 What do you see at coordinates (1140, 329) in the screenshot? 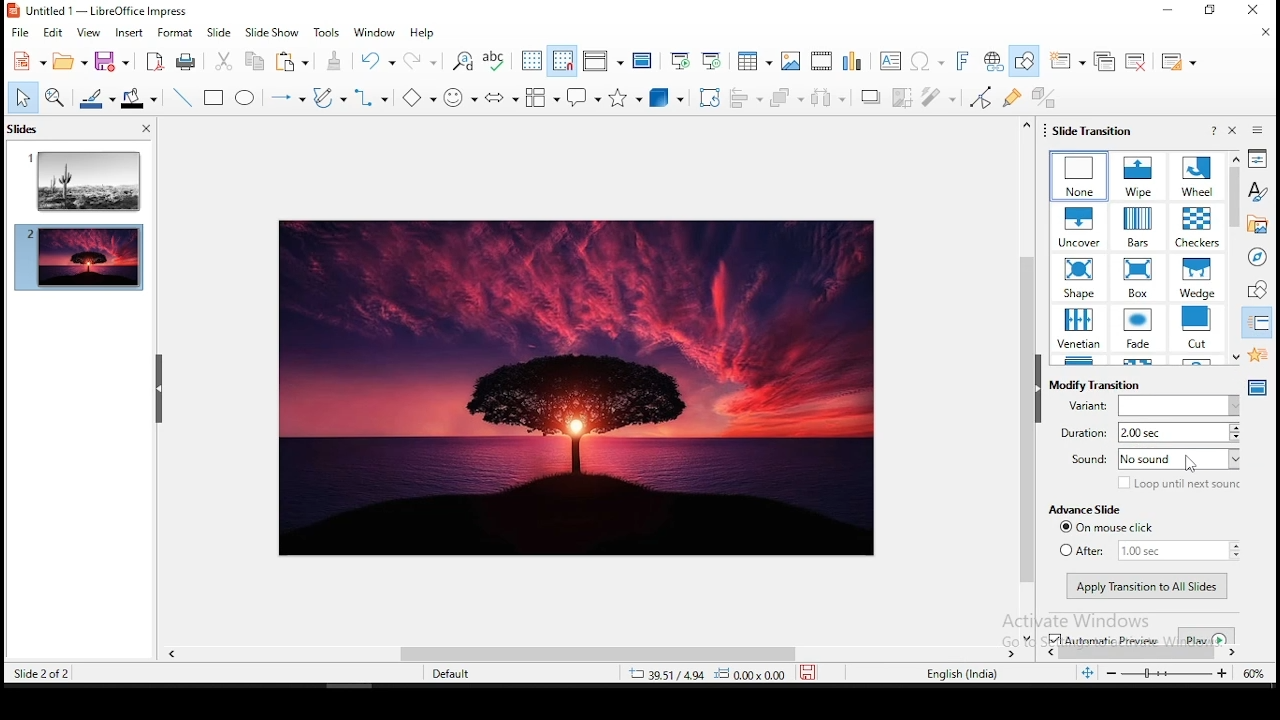
I see `transition effects` at bounding box center [1140, 329].